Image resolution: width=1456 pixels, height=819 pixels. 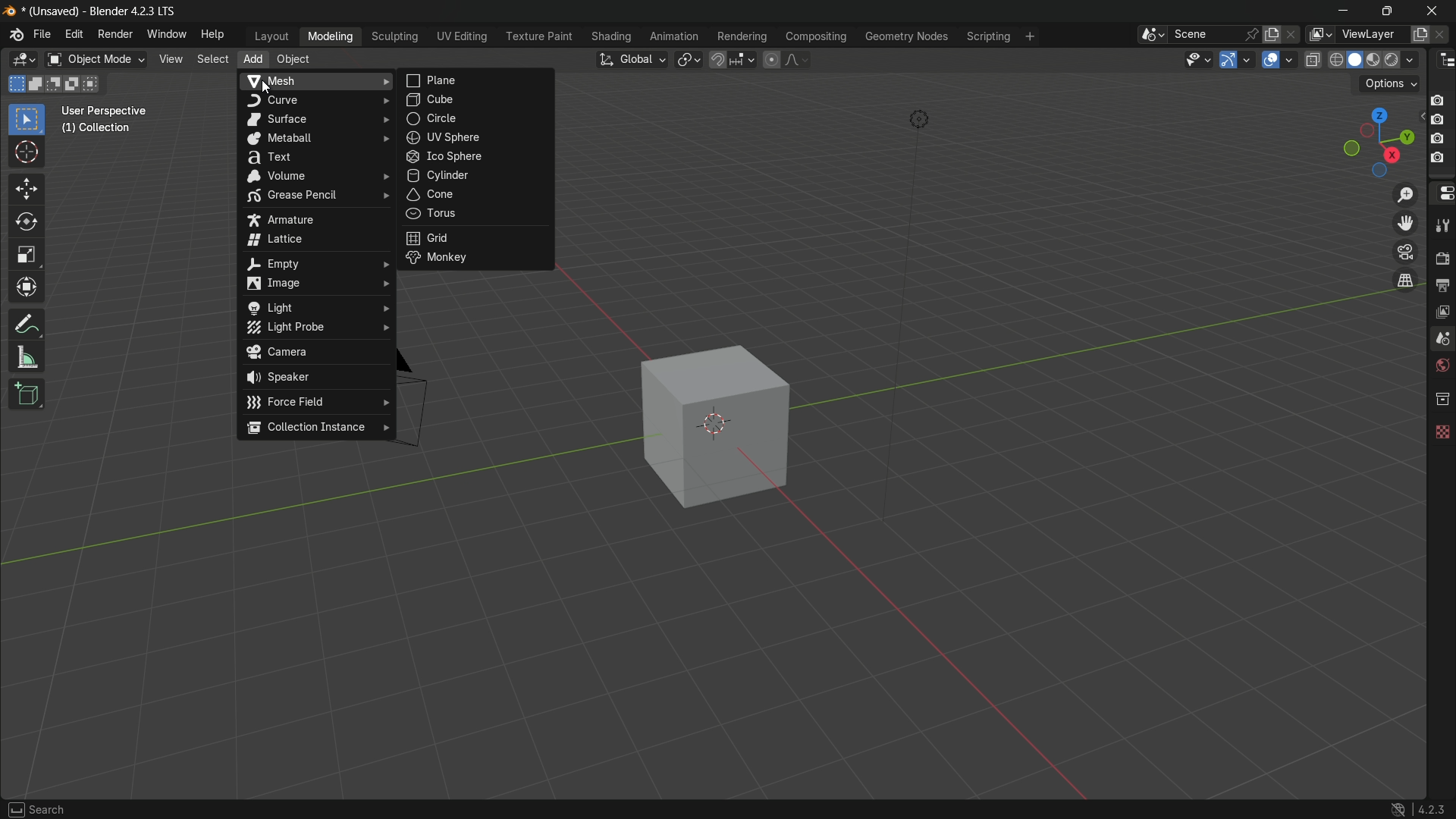 What do you see at coordinates (632, 59) in the screenshot?
I see `transformation orientation` at bounding box center [632, 59].